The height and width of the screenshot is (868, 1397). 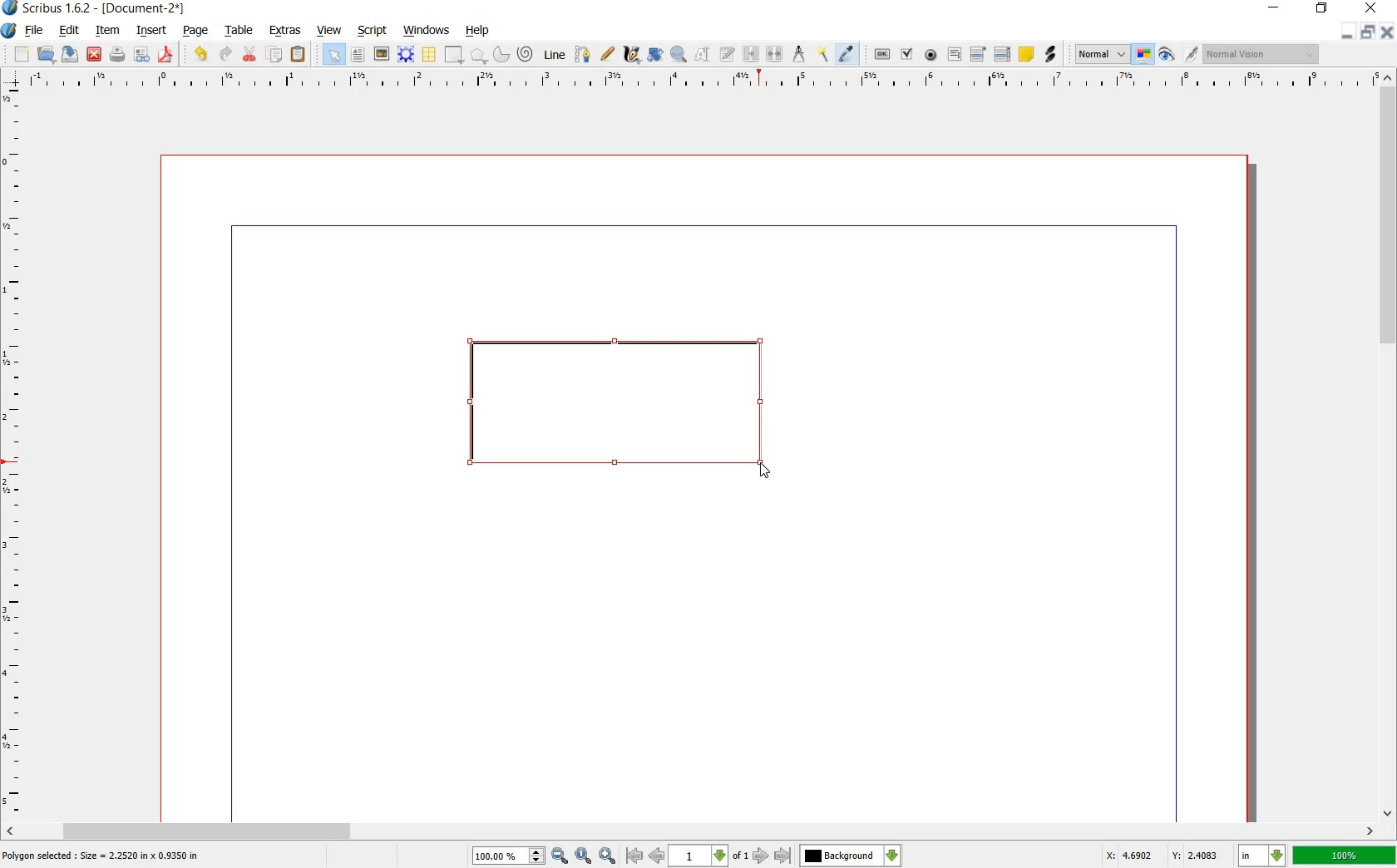 What do you see at coordinates (656, 856) in the screenshot?
I see `go to previous page` at bounding box center [656, 856].